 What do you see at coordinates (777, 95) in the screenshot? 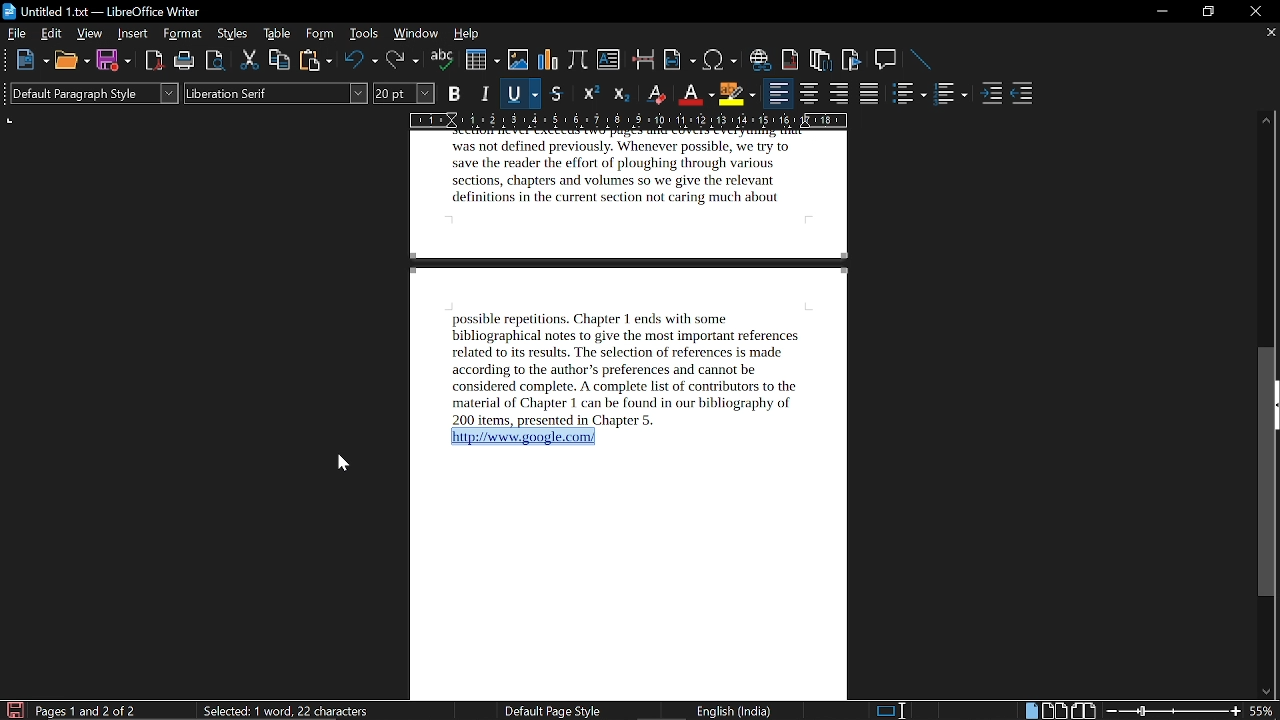
I see `align left` at bounding box center [777, 95].